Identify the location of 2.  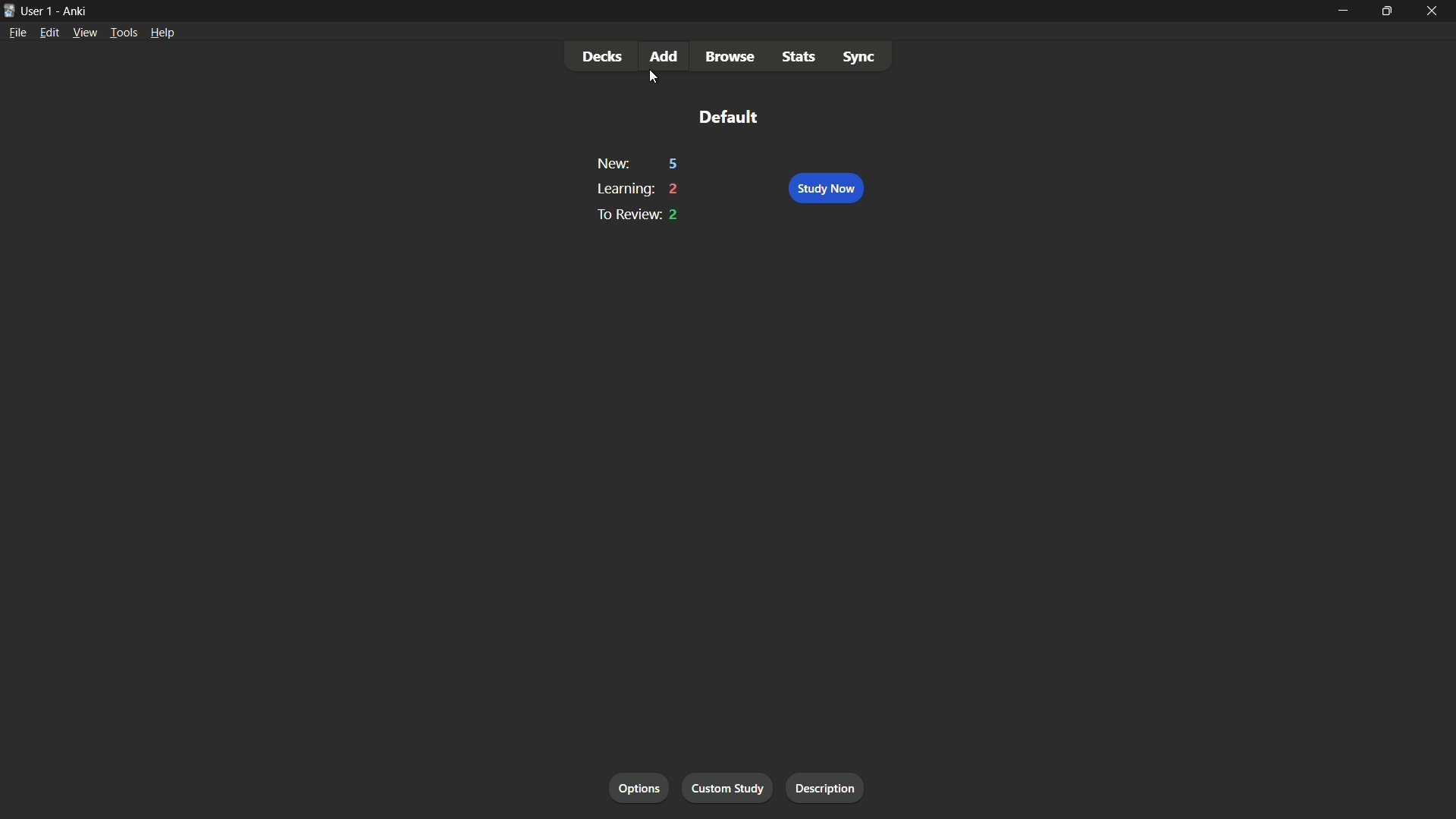
(673, 215).